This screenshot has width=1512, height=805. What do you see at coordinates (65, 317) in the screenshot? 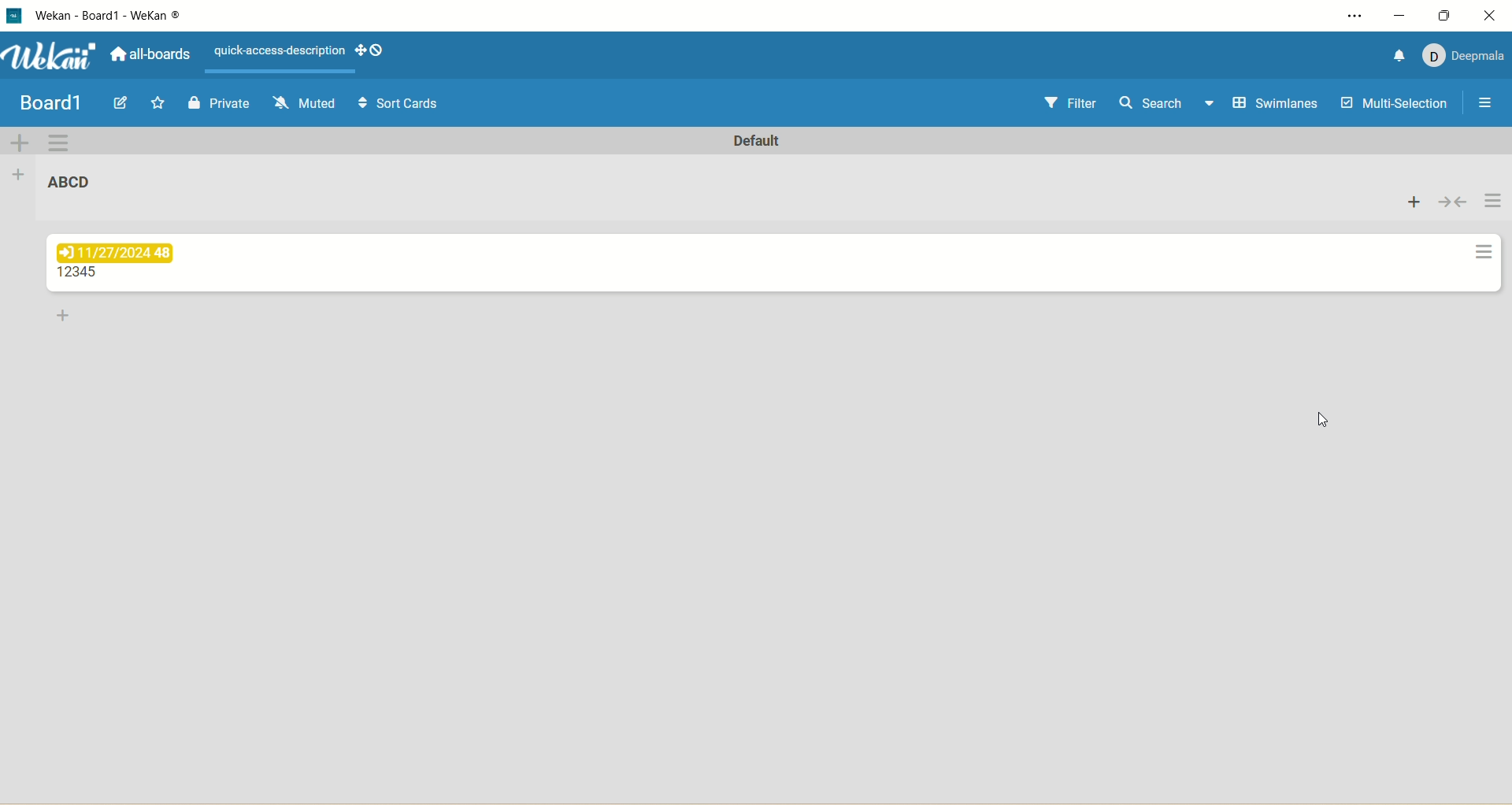
I see `add` at bounding box center [65, 317].